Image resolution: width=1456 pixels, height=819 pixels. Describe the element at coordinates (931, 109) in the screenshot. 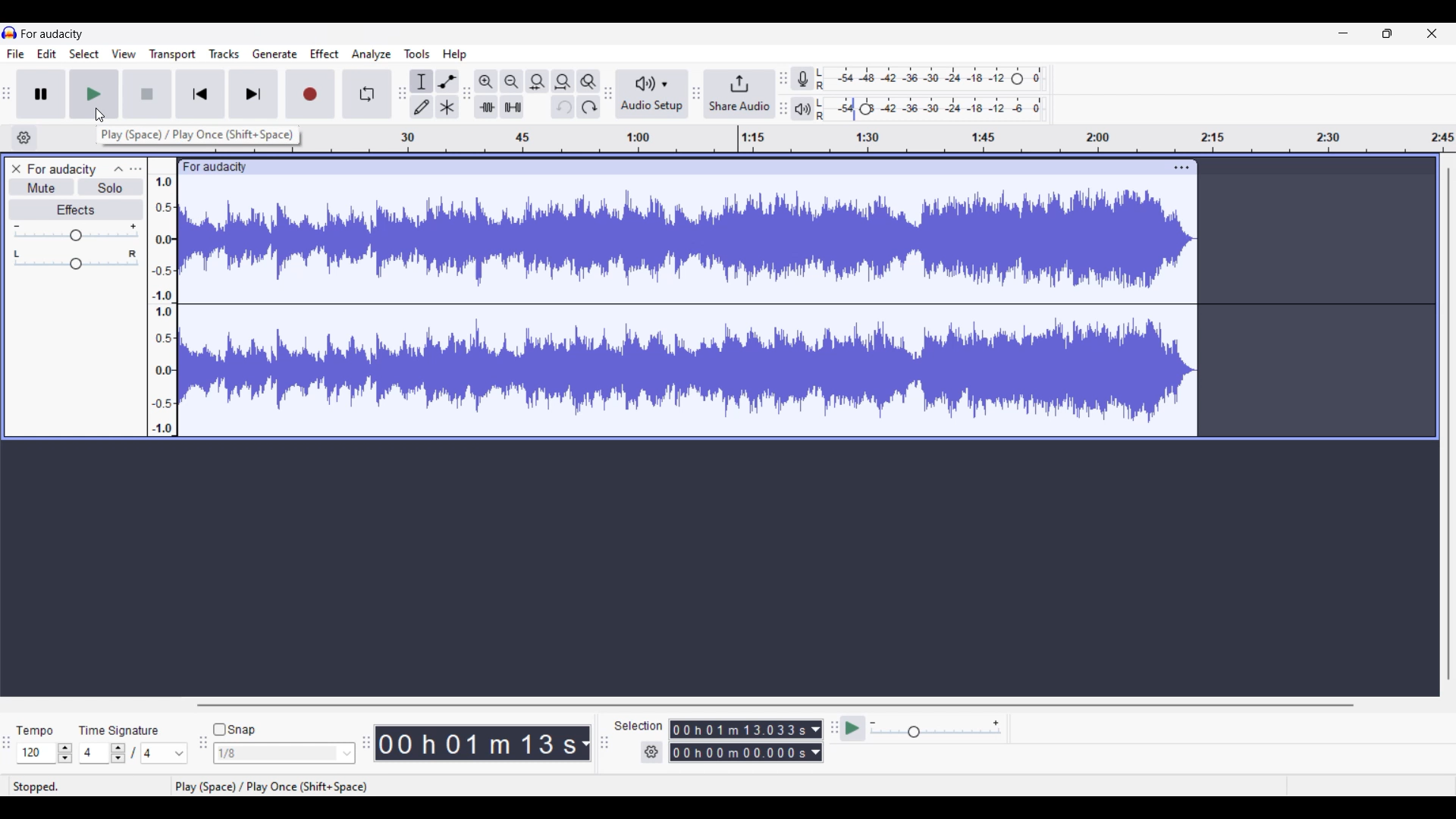

I see `Playback level` at that location.